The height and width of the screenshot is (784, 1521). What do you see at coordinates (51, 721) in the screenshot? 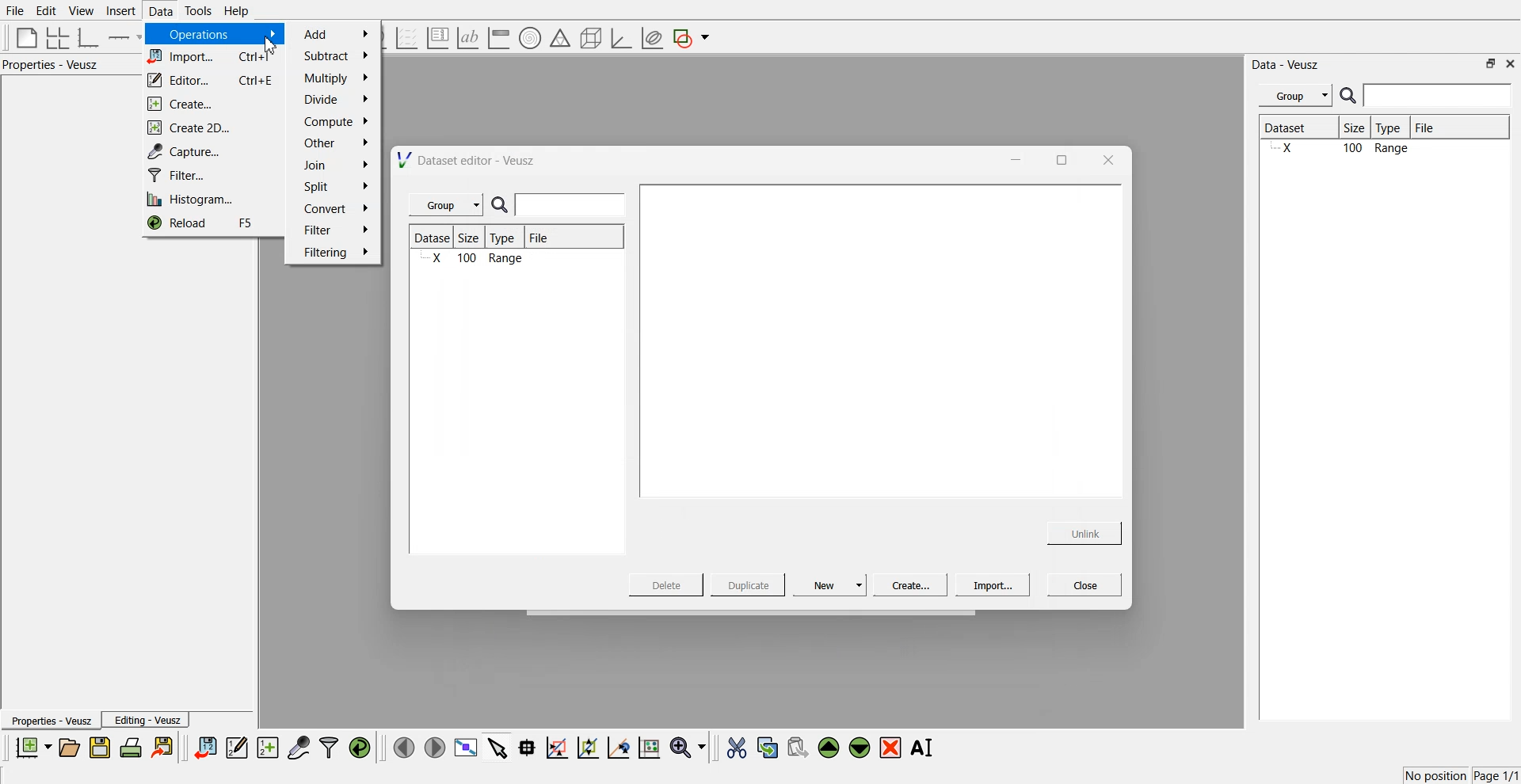
I see `Properties - Veusz` at bounding box center [51, 721].